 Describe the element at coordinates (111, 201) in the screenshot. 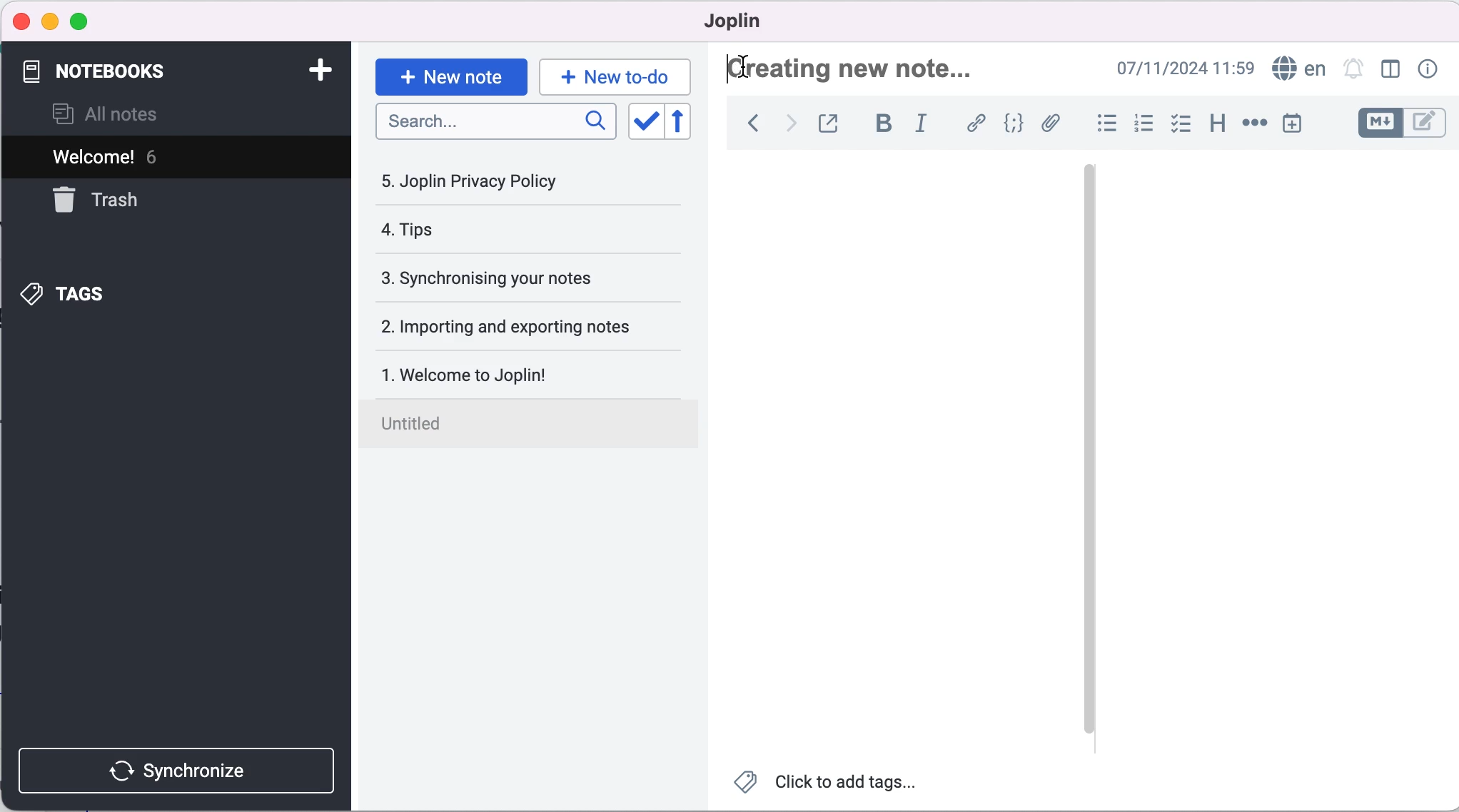

I see `trash` at that location.